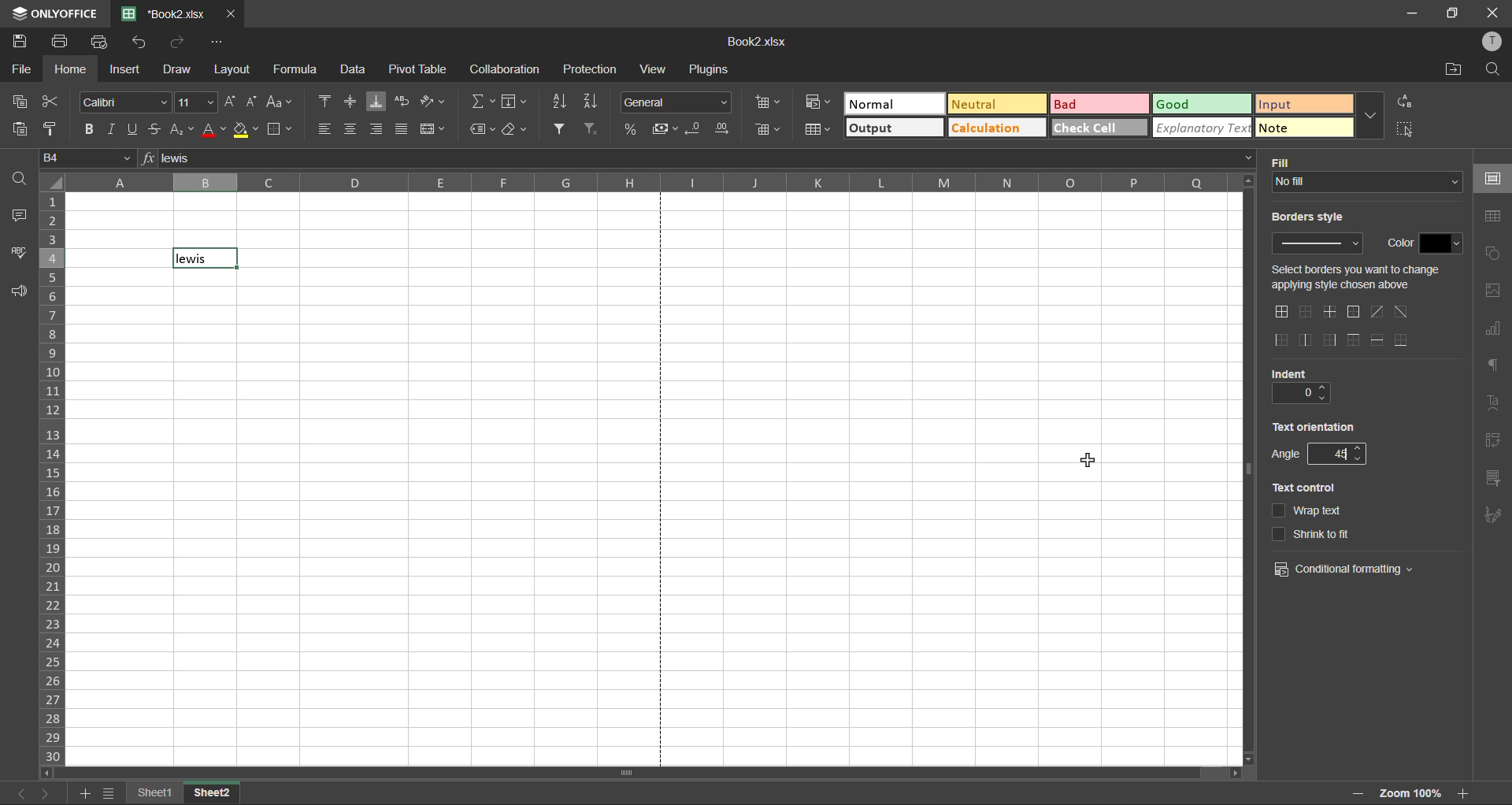  Describe the element at coordinates (219, 43) in the screenshot. I see `customize quick access toolbar` at that location.